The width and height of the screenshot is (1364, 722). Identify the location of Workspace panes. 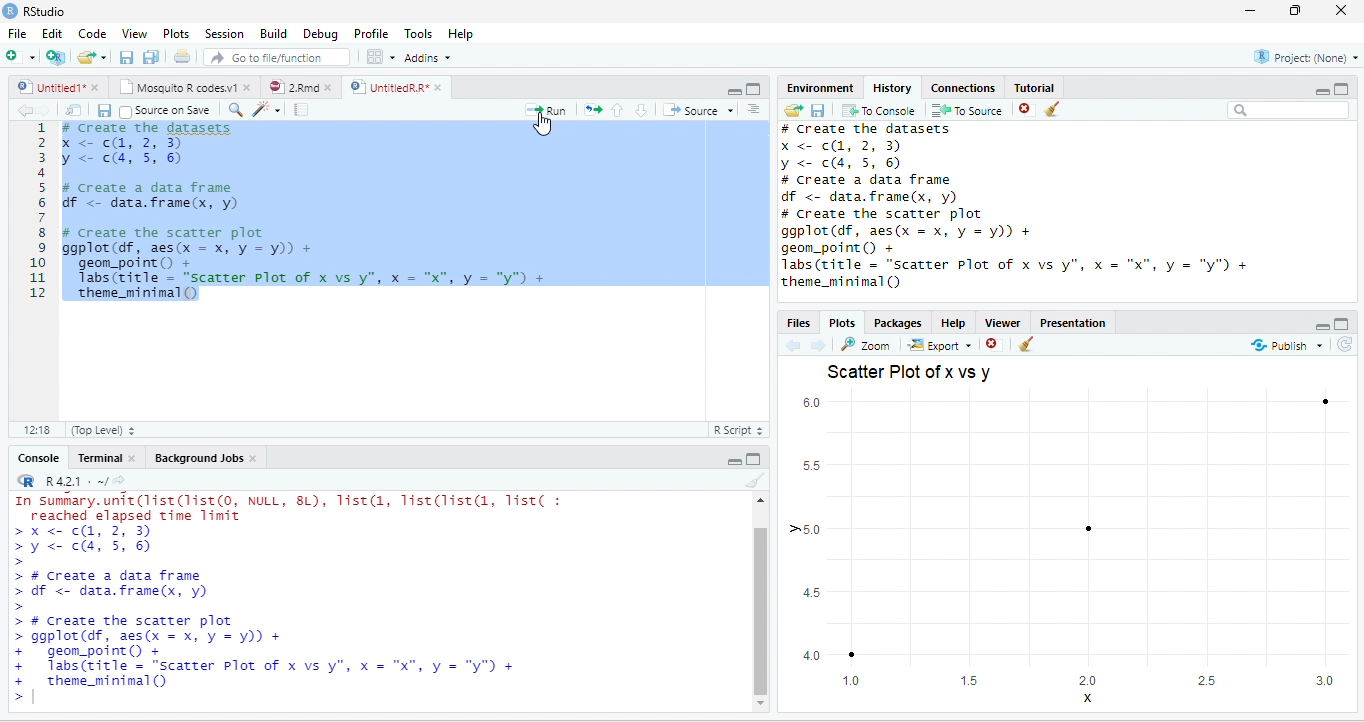
(379, 56).